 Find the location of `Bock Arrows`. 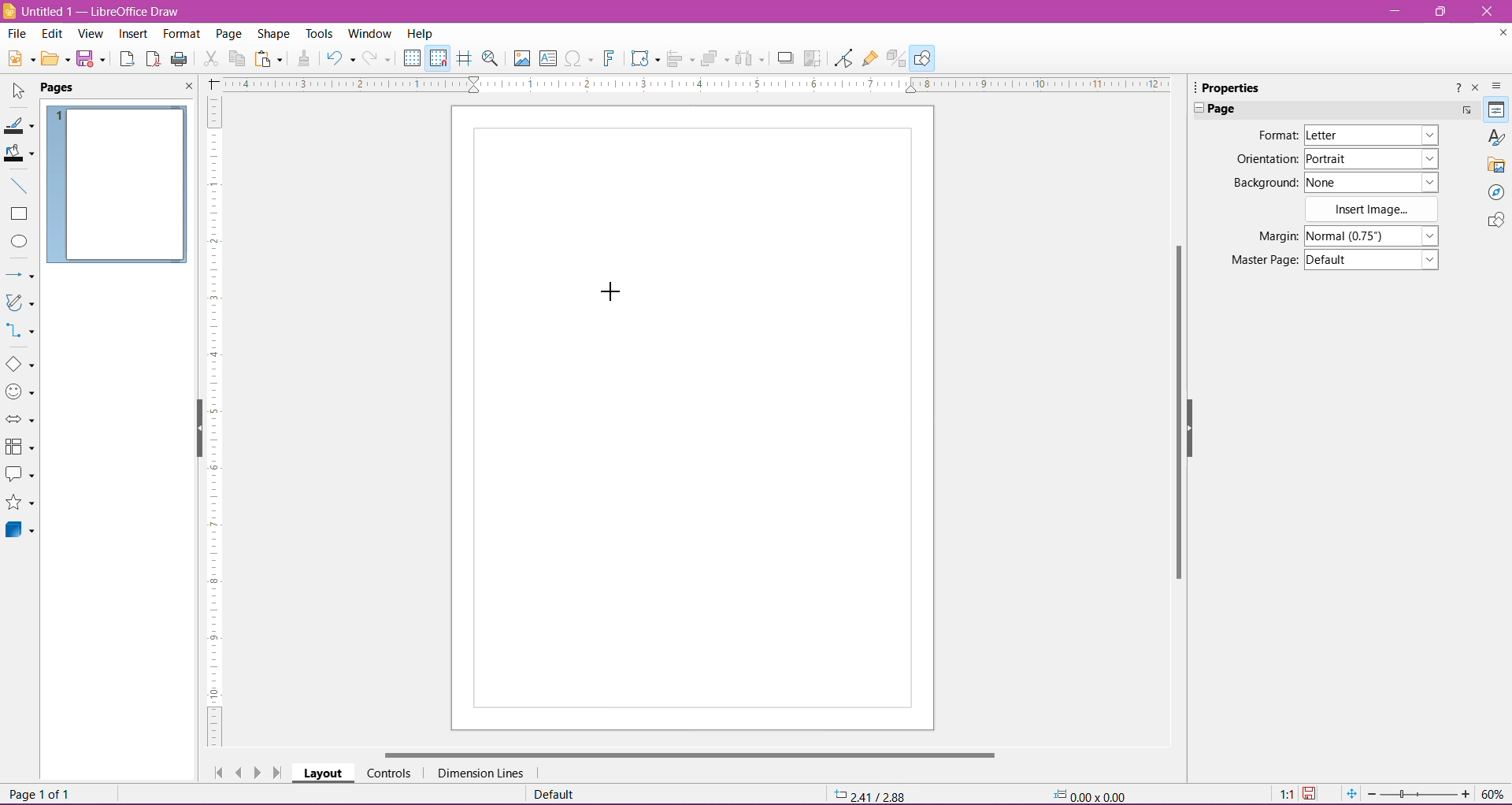

Bock Arrows is located at coordinates (20, 421).